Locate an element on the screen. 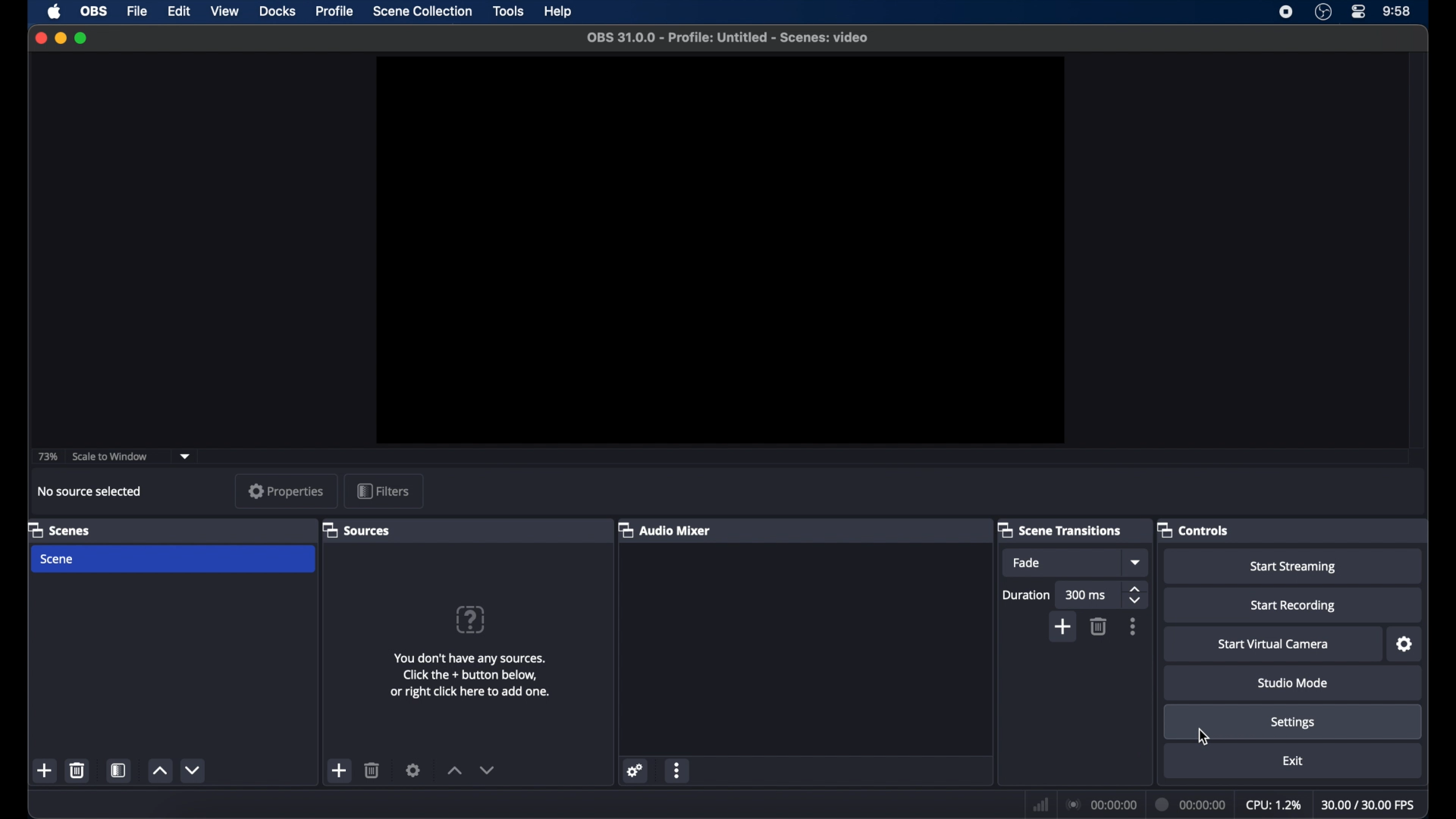  delete is located at coordinates (77, 770).